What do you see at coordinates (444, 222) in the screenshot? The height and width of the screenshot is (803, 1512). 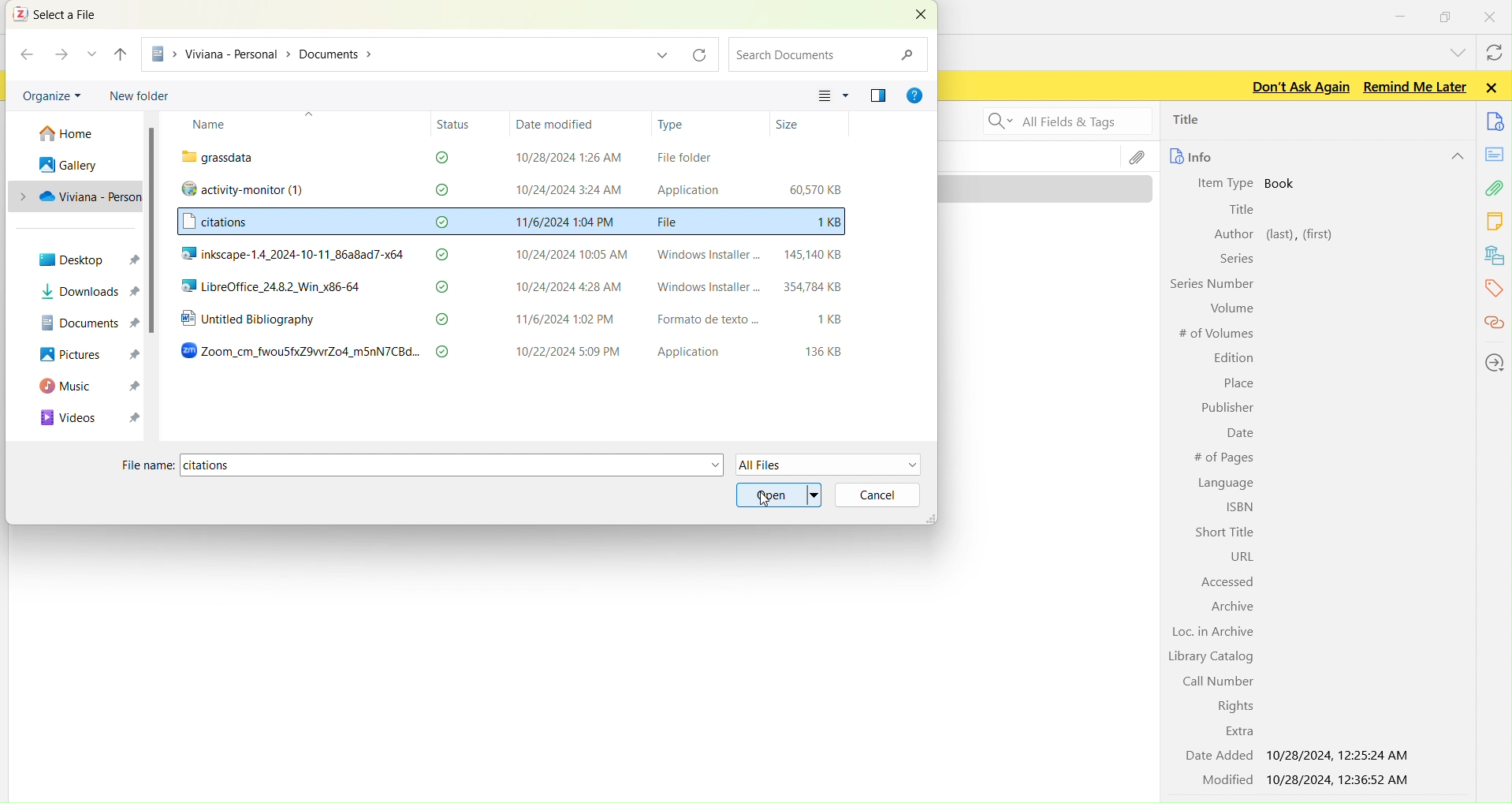 I see `check` at bounding box center [444, 222].